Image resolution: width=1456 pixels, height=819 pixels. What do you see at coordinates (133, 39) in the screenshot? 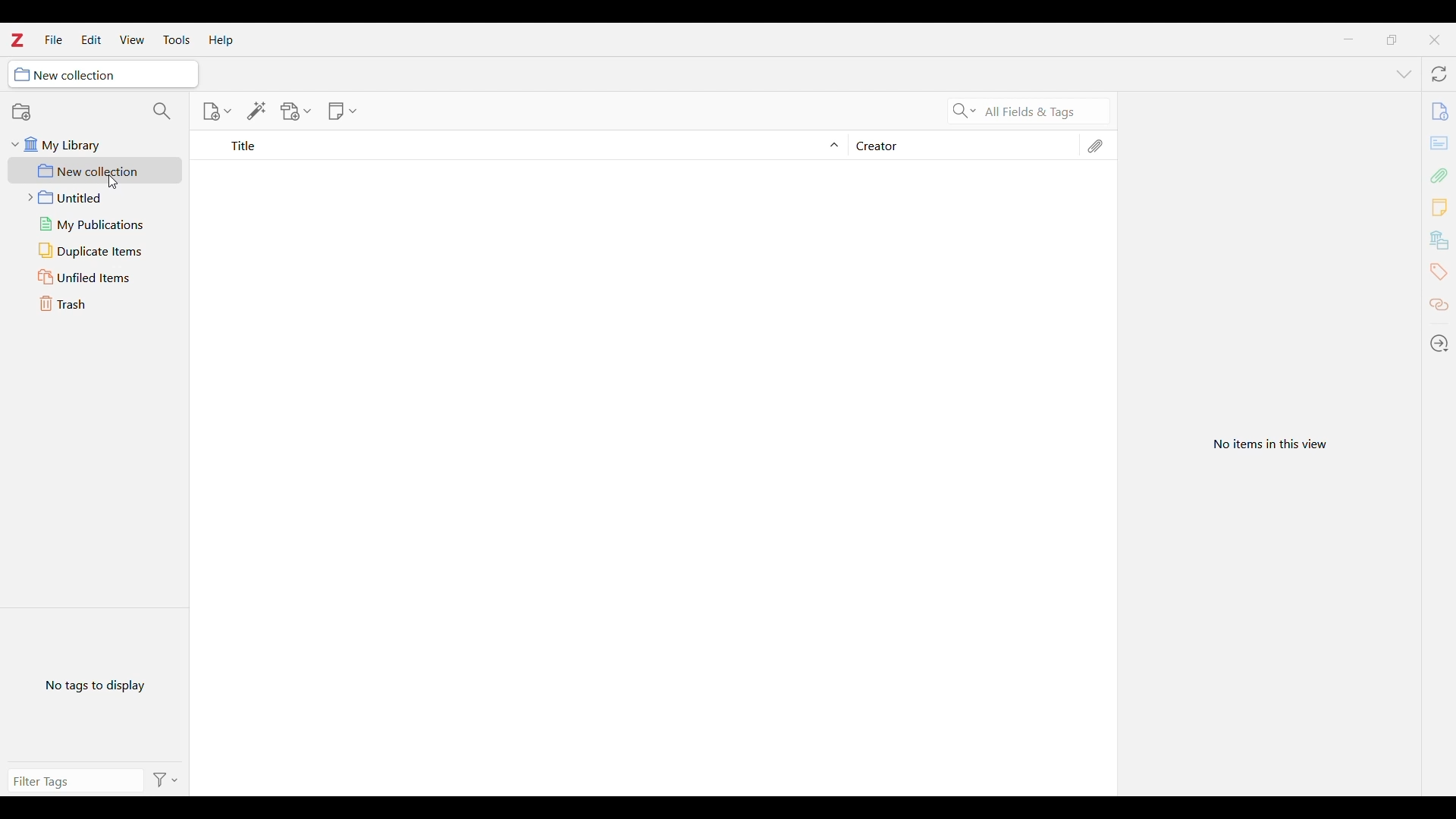
I see `View menu` at bounding box center [133, 39].